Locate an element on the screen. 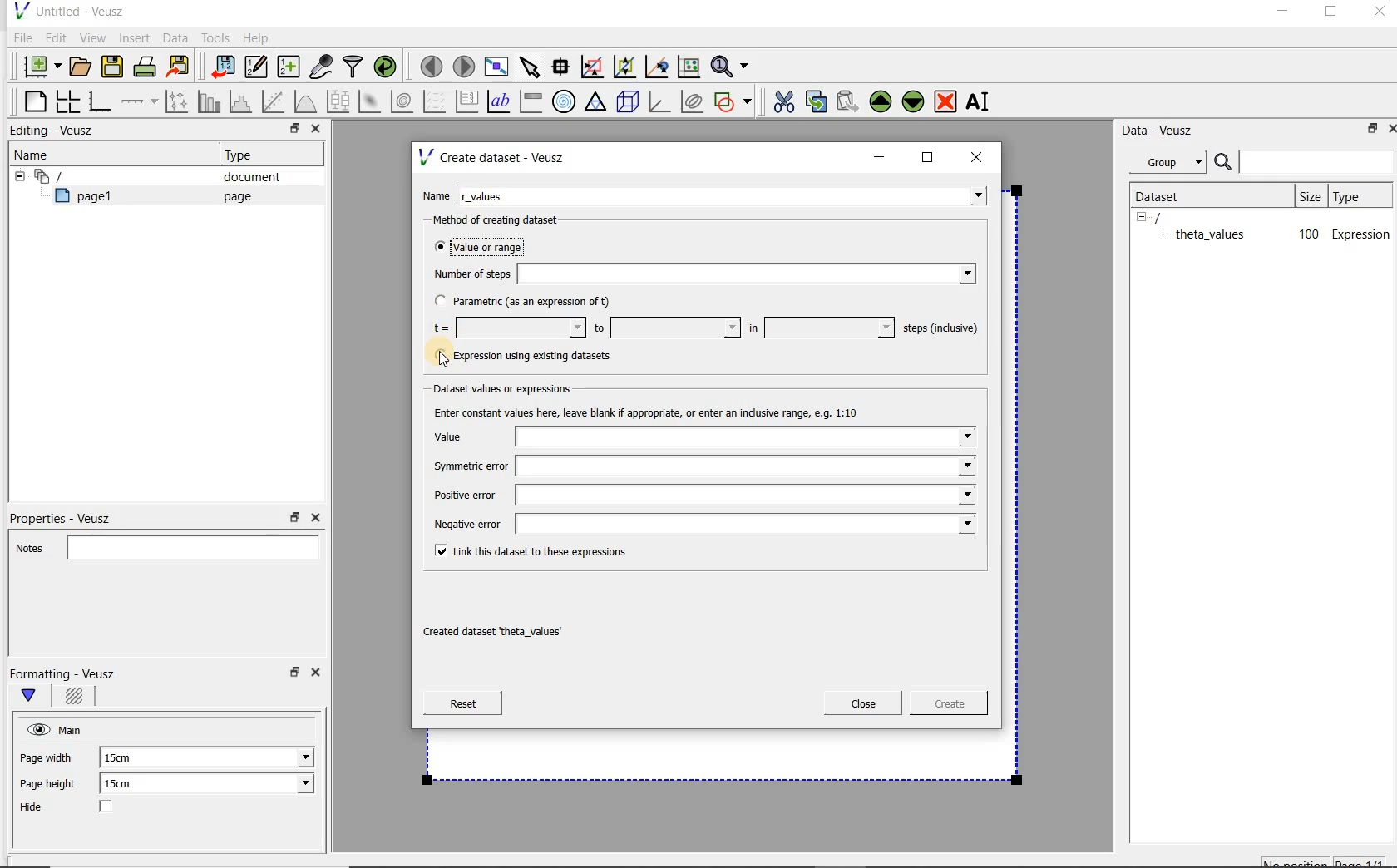 This screenshot has height=868, width=1397. Type is located at coordinates (1358, 195).